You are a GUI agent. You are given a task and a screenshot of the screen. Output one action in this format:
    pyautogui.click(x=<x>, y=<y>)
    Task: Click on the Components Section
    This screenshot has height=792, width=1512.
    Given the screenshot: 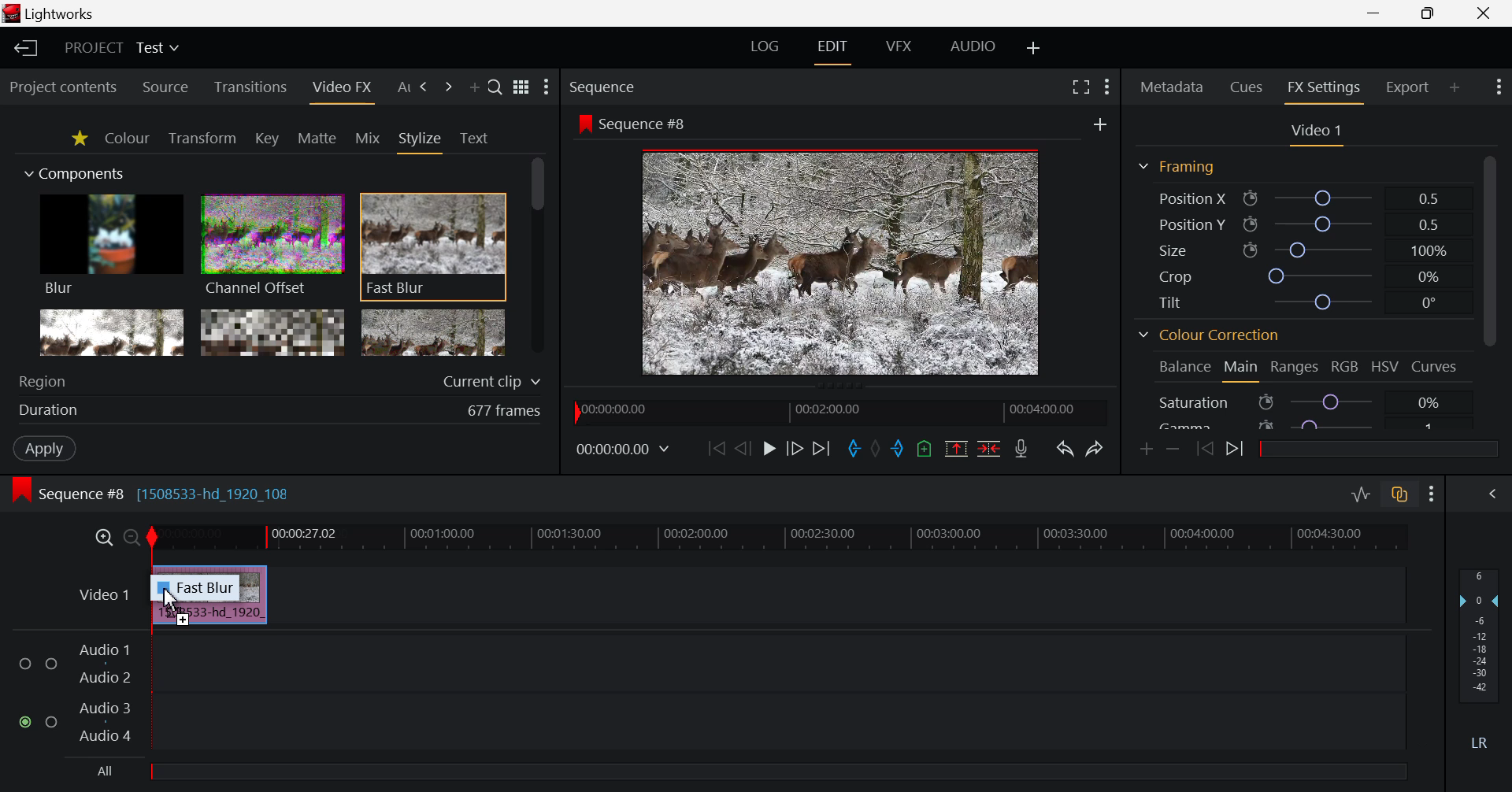 What is the action you would take?
    pyautogui.click(x=80, y=172)
    